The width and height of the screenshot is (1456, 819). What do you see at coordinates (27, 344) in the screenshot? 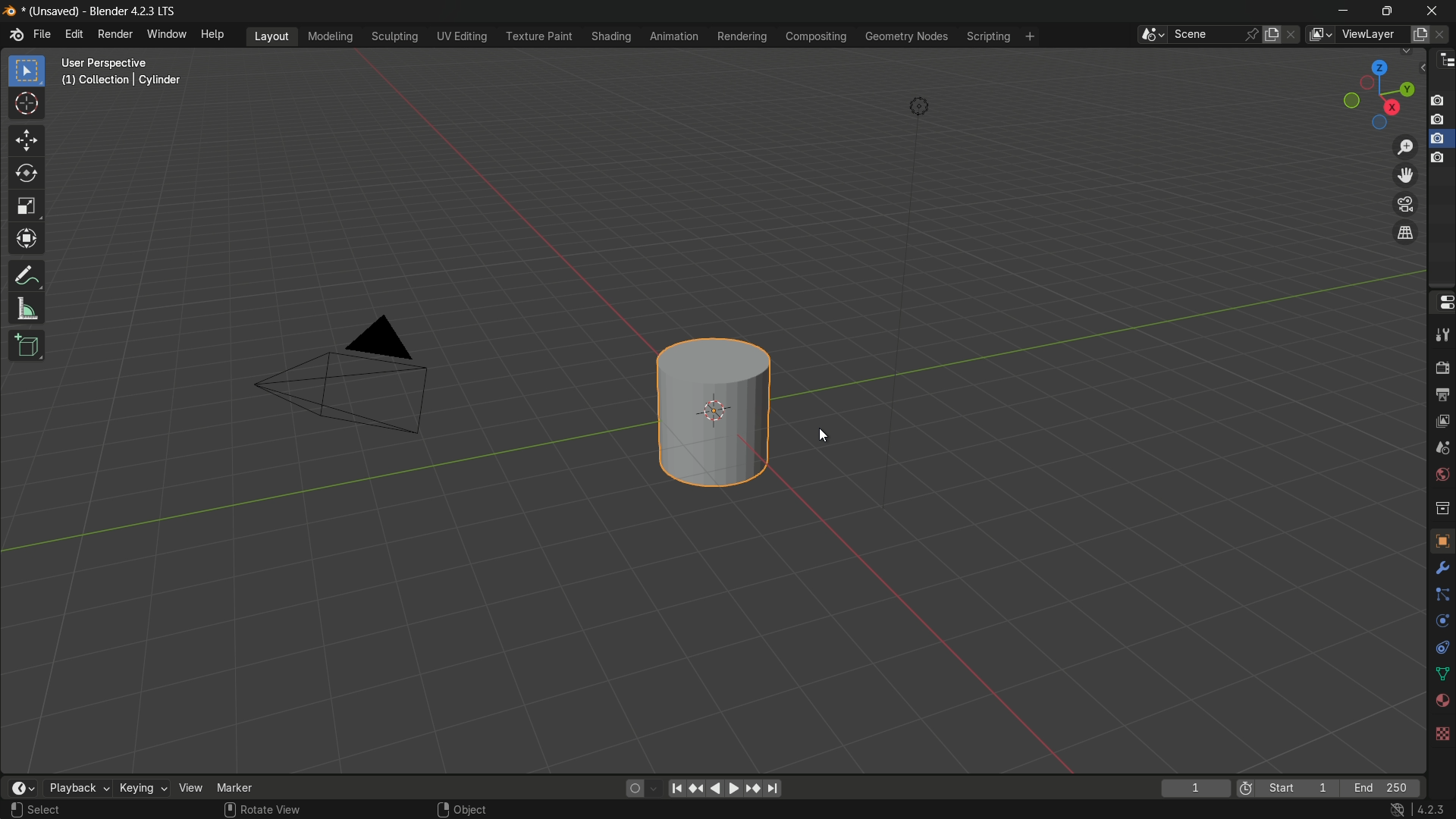
I see `add cube` at bounding box center [27, 344].